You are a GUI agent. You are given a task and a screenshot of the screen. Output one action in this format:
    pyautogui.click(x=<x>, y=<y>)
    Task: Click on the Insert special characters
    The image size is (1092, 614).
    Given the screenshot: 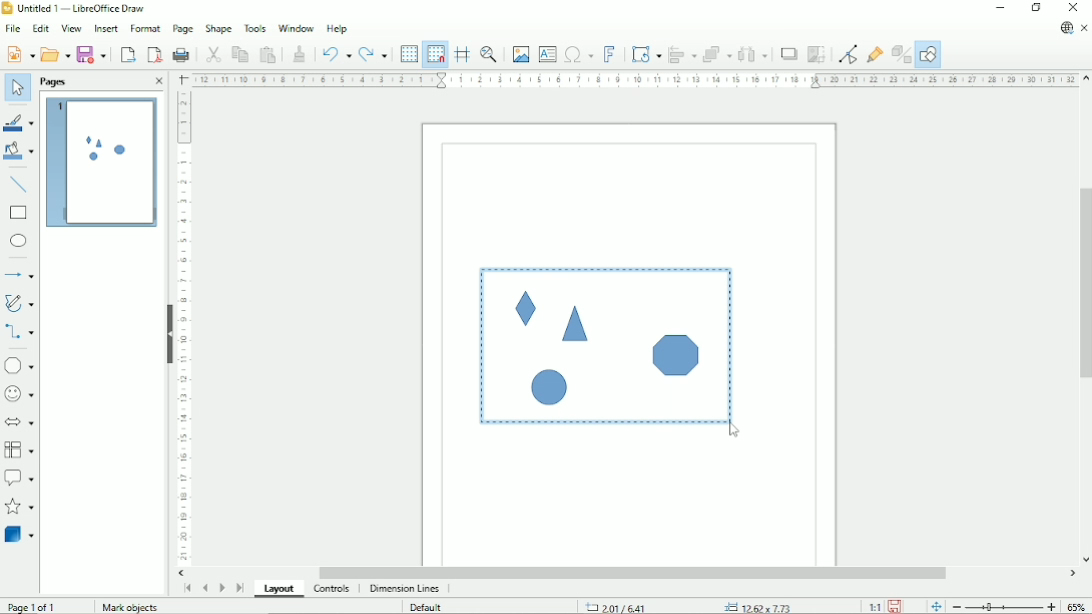 What is the action you would take?
    pyautogui.click(x=578, y=55)
    